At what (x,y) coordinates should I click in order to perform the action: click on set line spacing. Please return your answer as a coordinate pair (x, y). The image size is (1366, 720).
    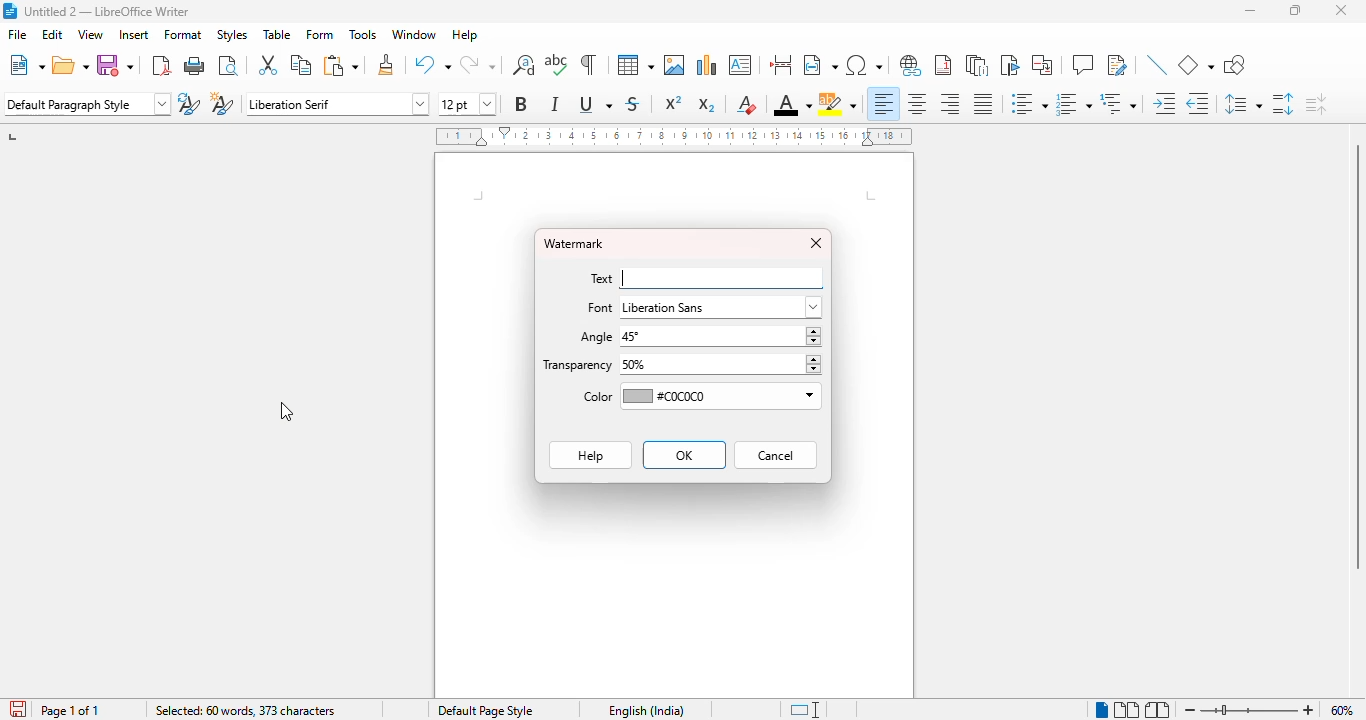
    Looking at the image, I should click on (1241, 104).